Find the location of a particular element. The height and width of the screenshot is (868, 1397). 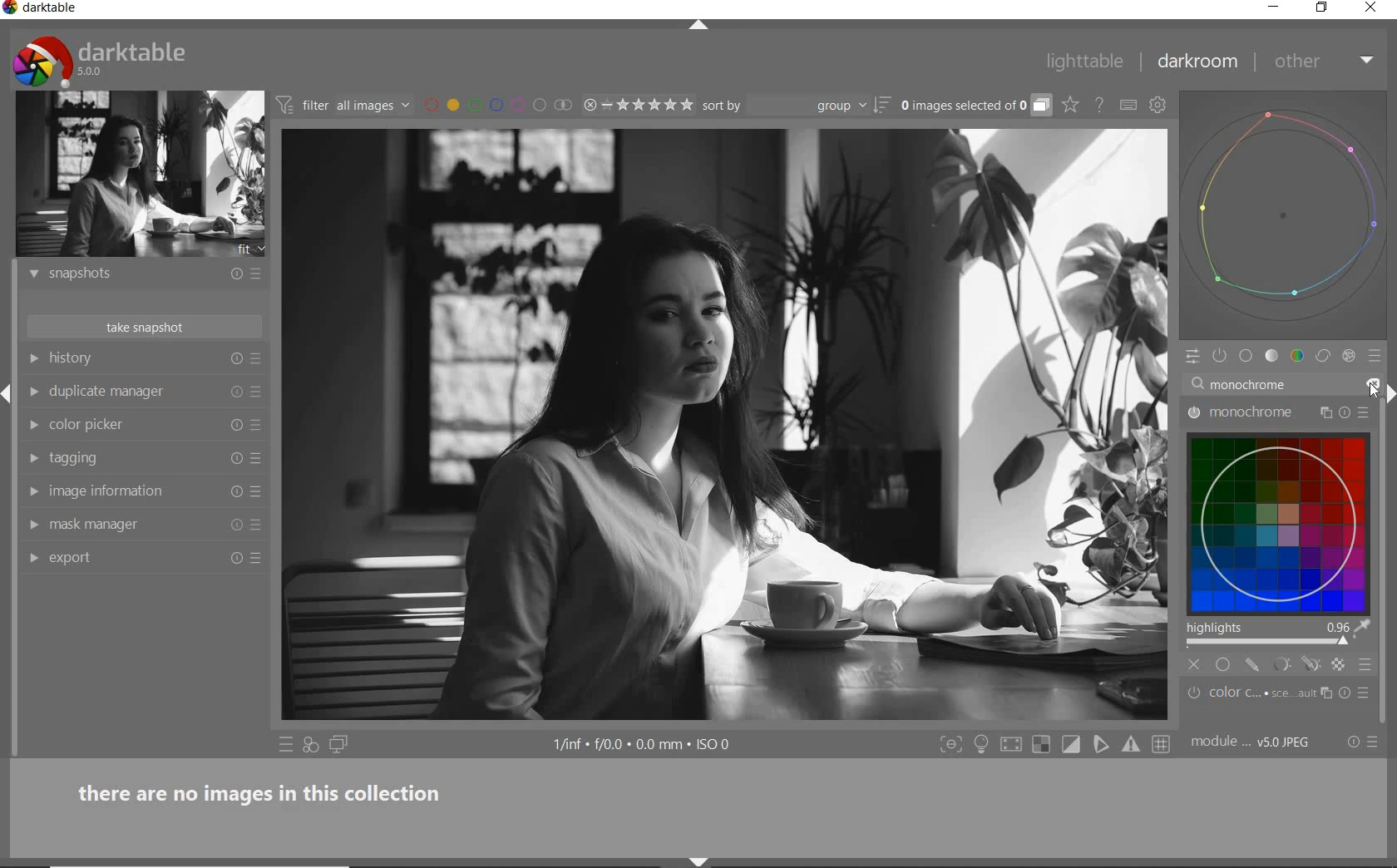

show module is located at coordinates (32, 274).